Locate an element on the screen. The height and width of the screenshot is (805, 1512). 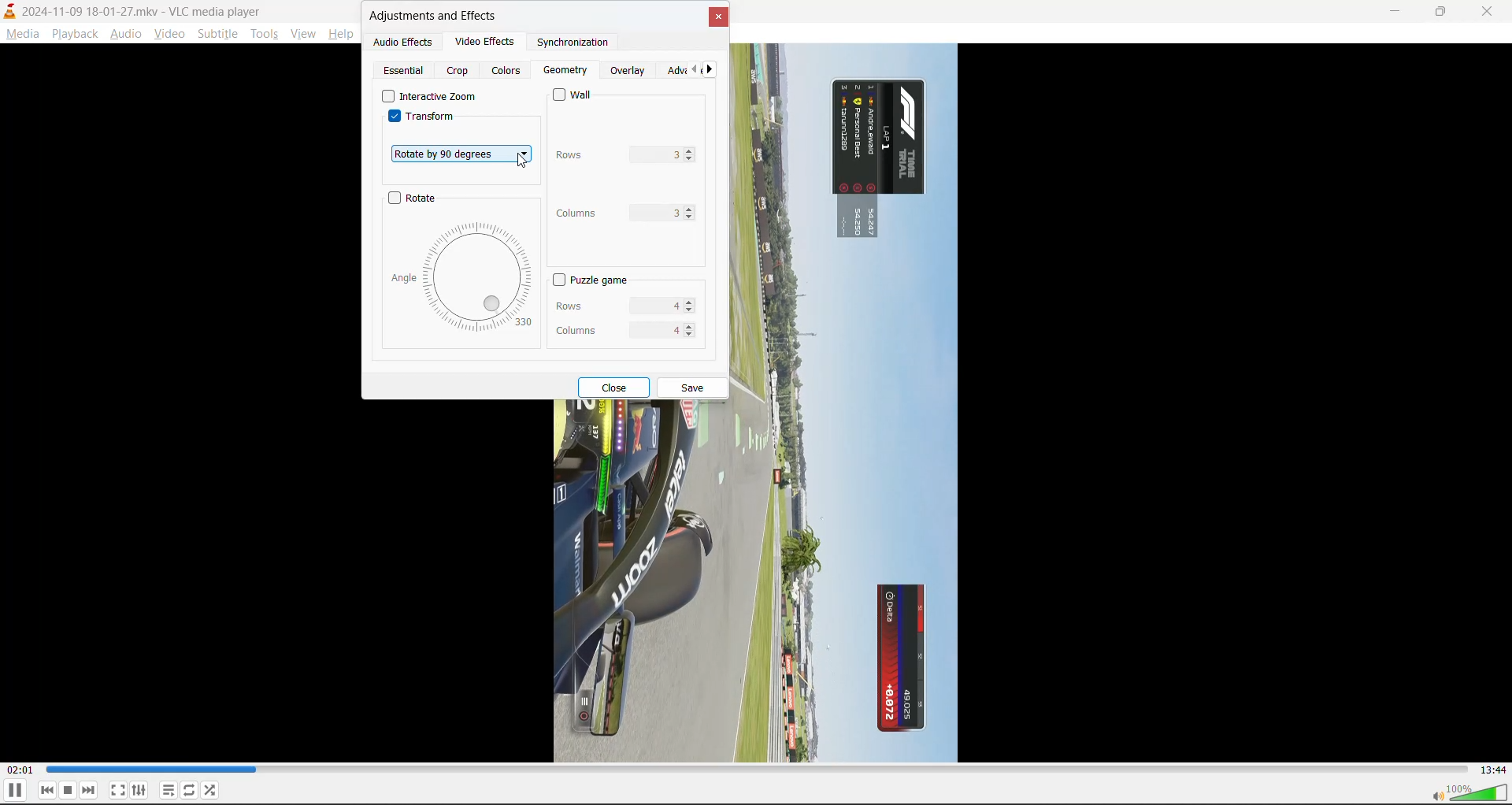
random is located at coordinates (211, 789).